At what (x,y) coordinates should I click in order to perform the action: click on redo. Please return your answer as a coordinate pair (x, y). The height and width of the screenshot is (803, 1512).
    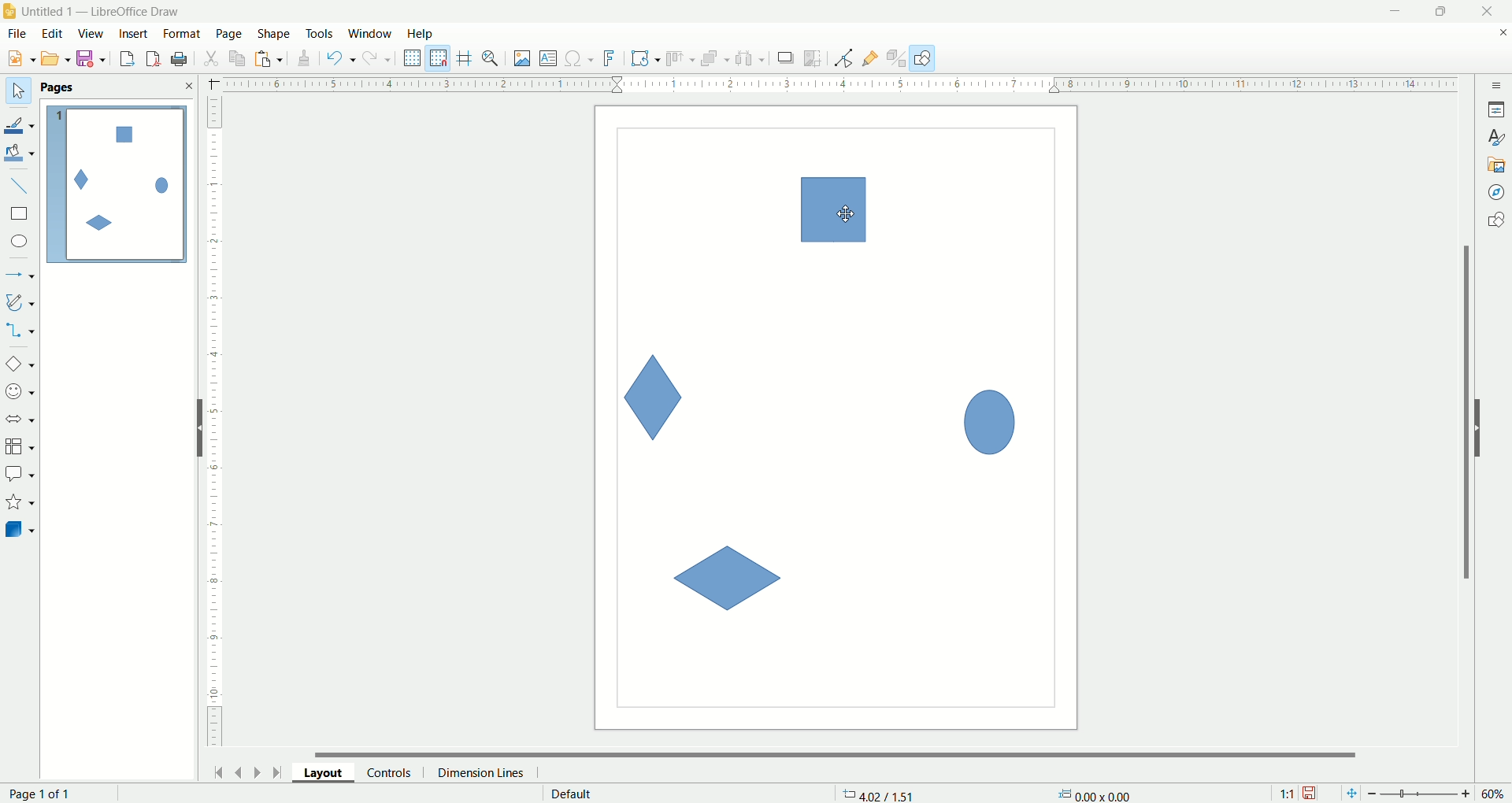
    Looking at the image, I should click on (380, 57).